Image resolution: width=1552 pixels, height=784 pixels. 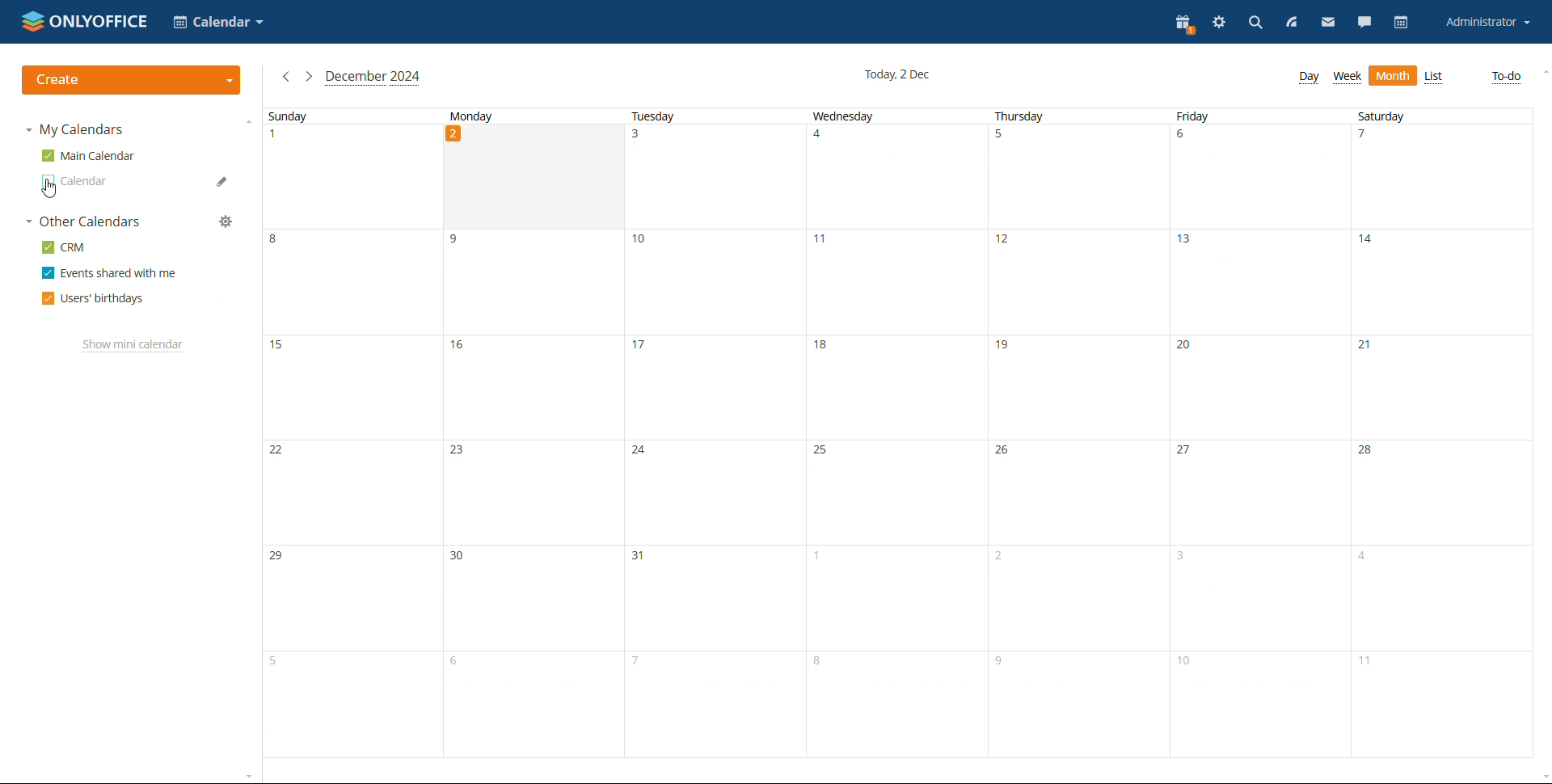 What do you see at coordinates (1254, 24) in the screenshot?
I see `search` at bounding box center [1254, 24].